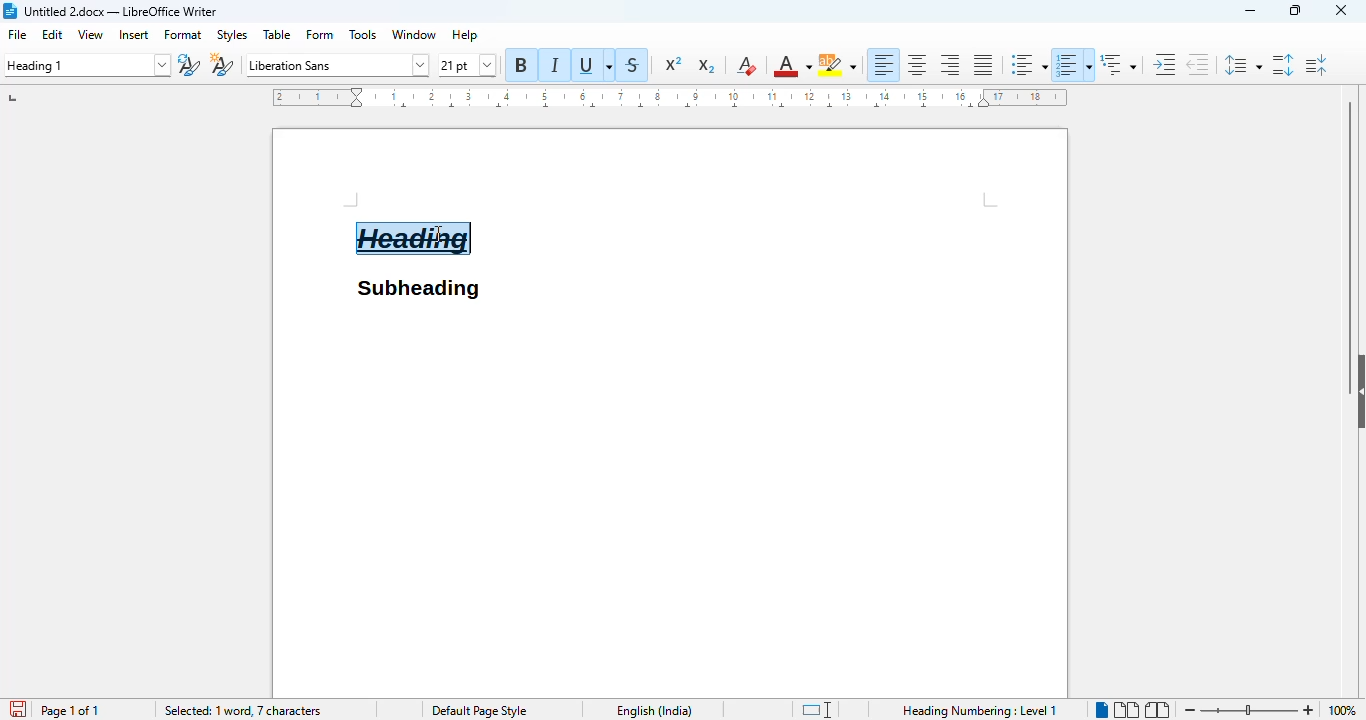  I want to click on format, so click(183, 35).